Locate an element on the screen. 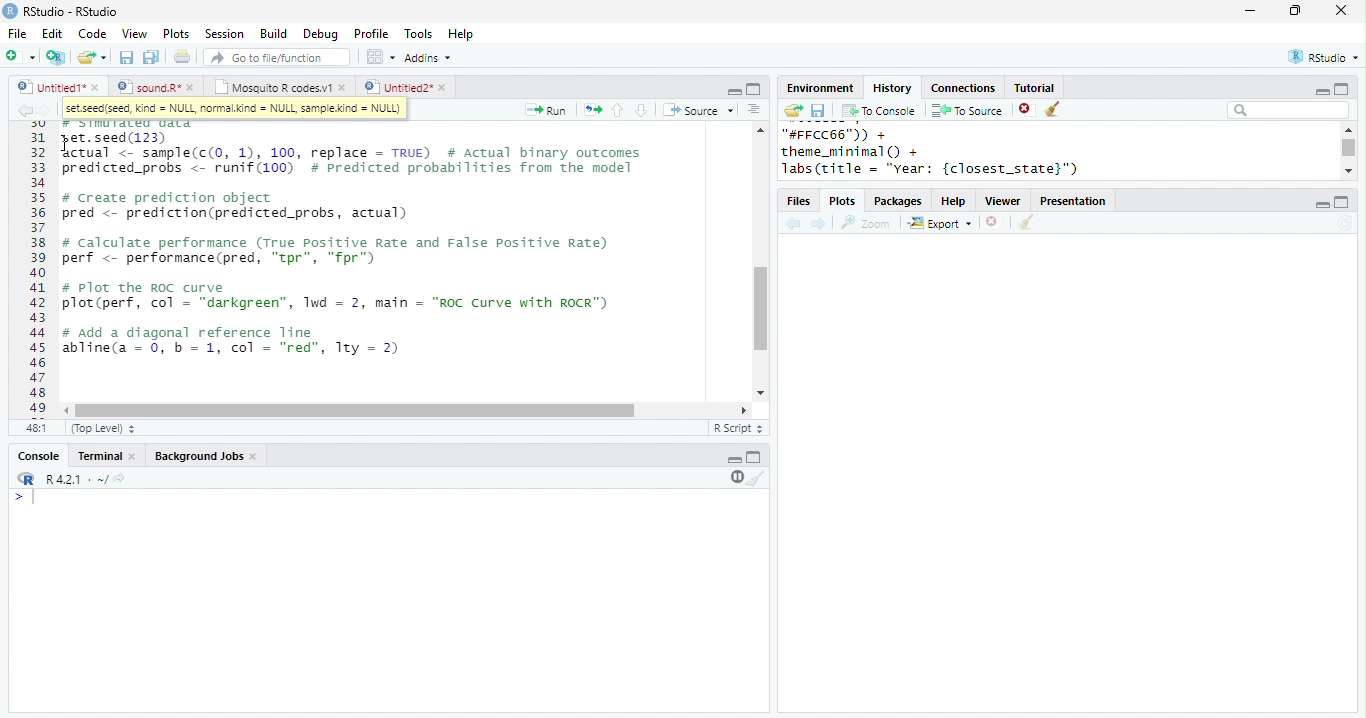  scroll down is located at coordinates (759, 393).